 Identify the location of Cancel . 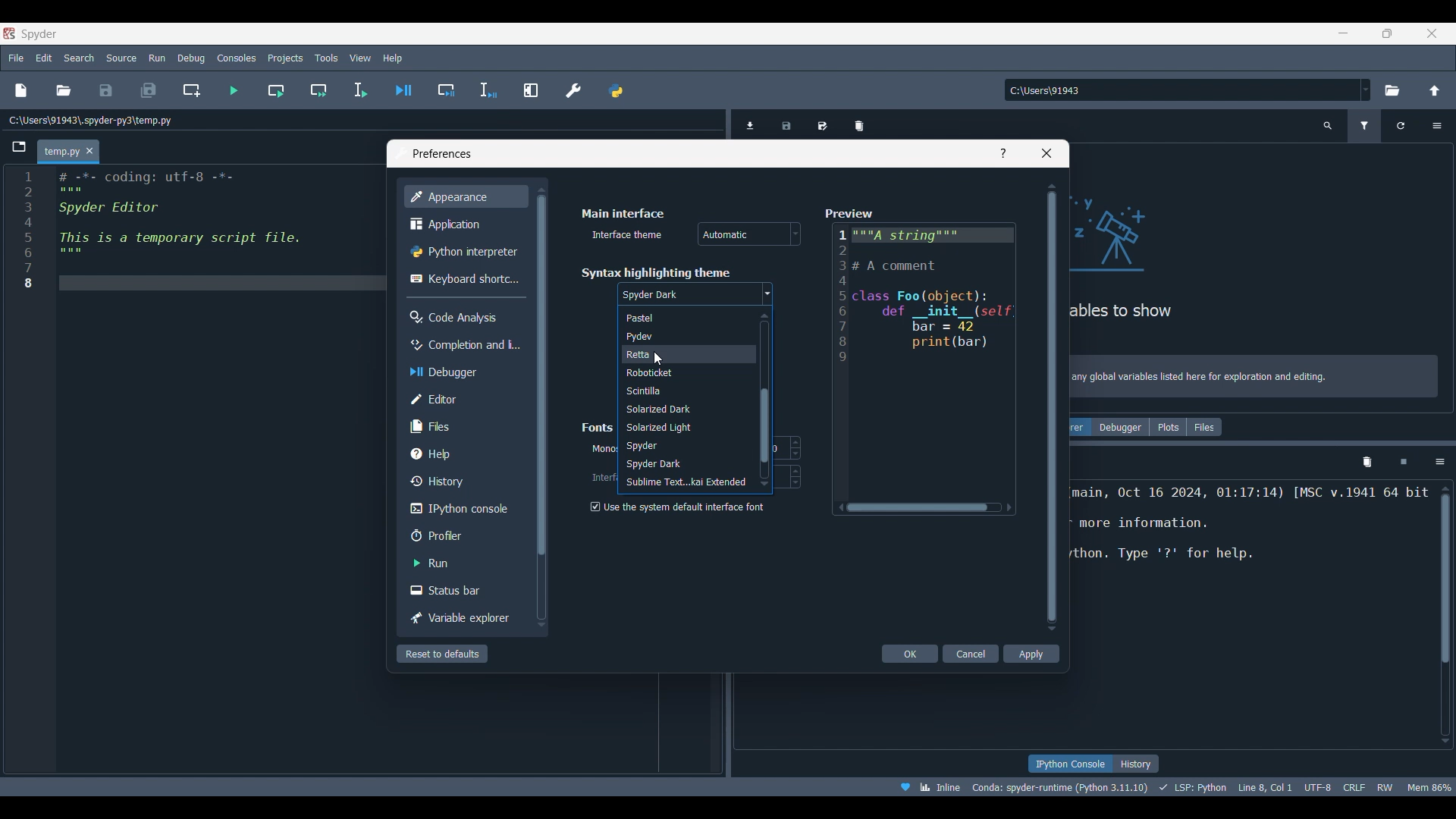
(972, 654).